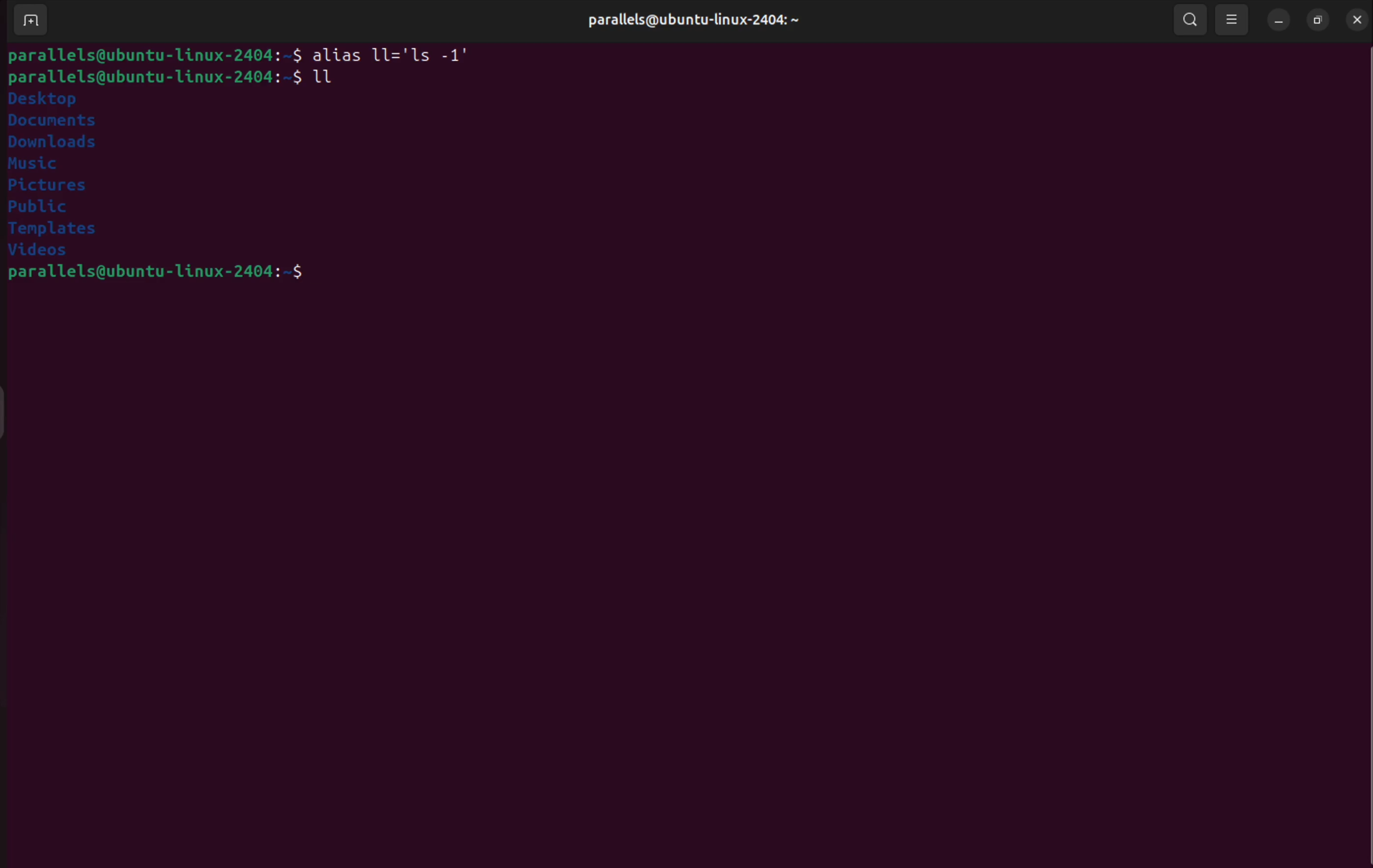 The image size is (1373, 868). Describe the element at coordinates (154, 54) in the screenshot. I see `bash prompt` at that location.